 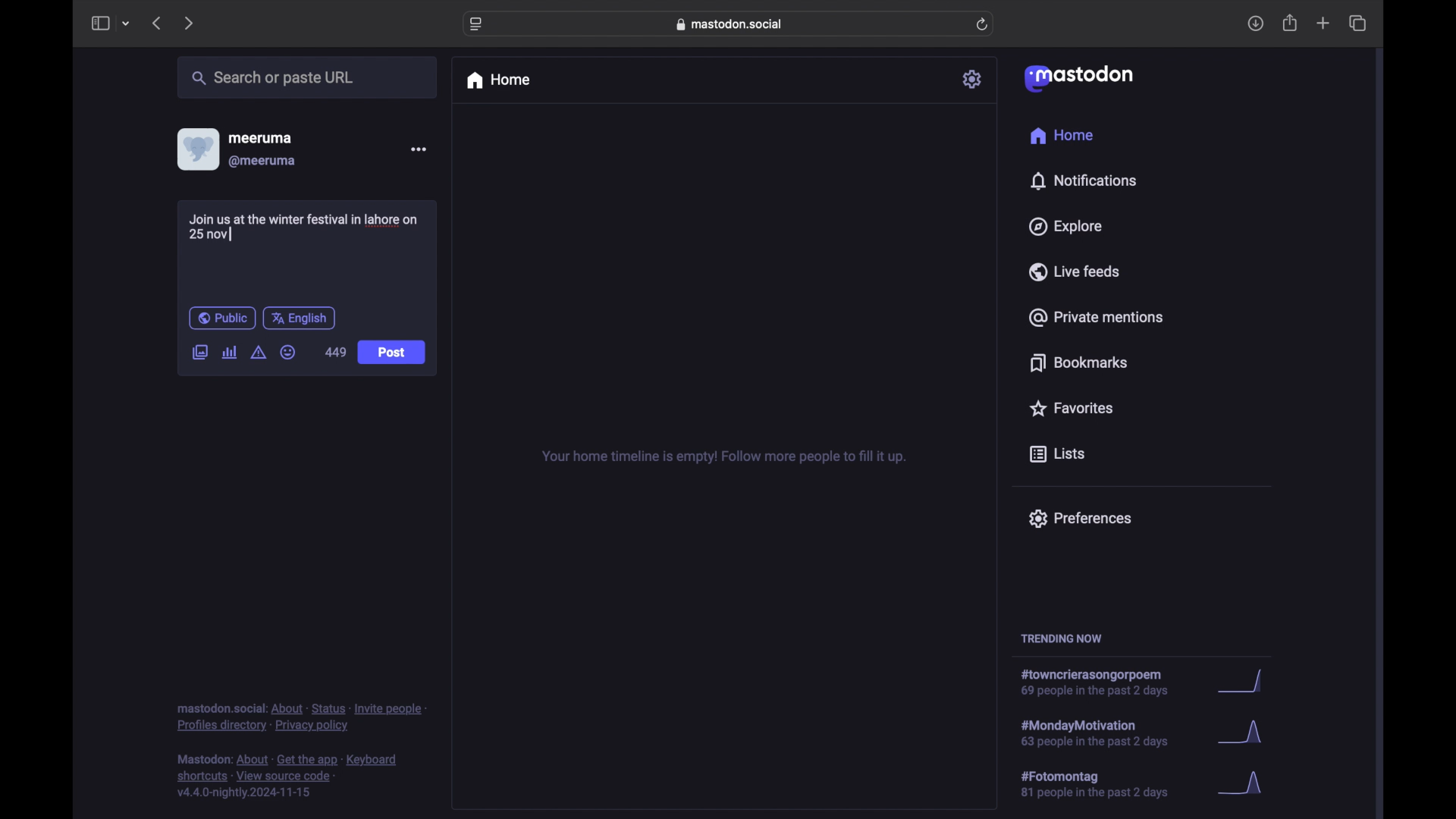 I want to click on hashtag trend, so click(x=1103, y=683).